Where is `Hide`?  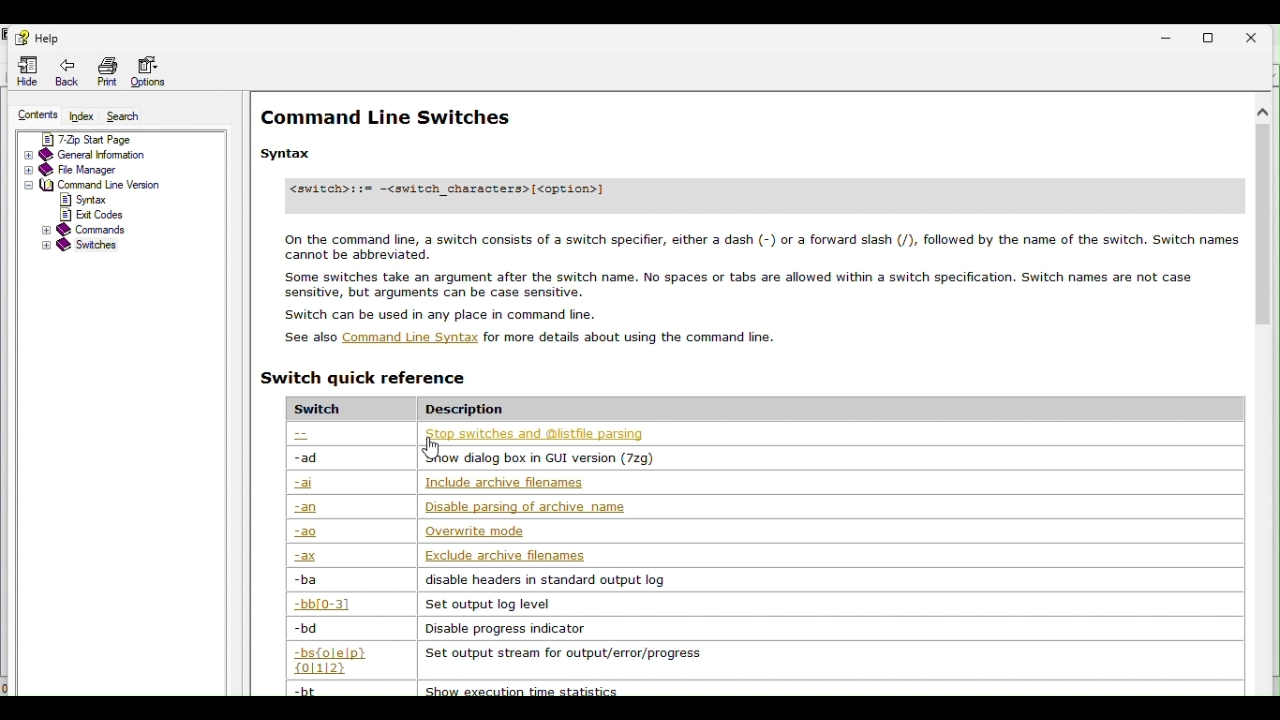 Hide is located at coordinates (24, 70).